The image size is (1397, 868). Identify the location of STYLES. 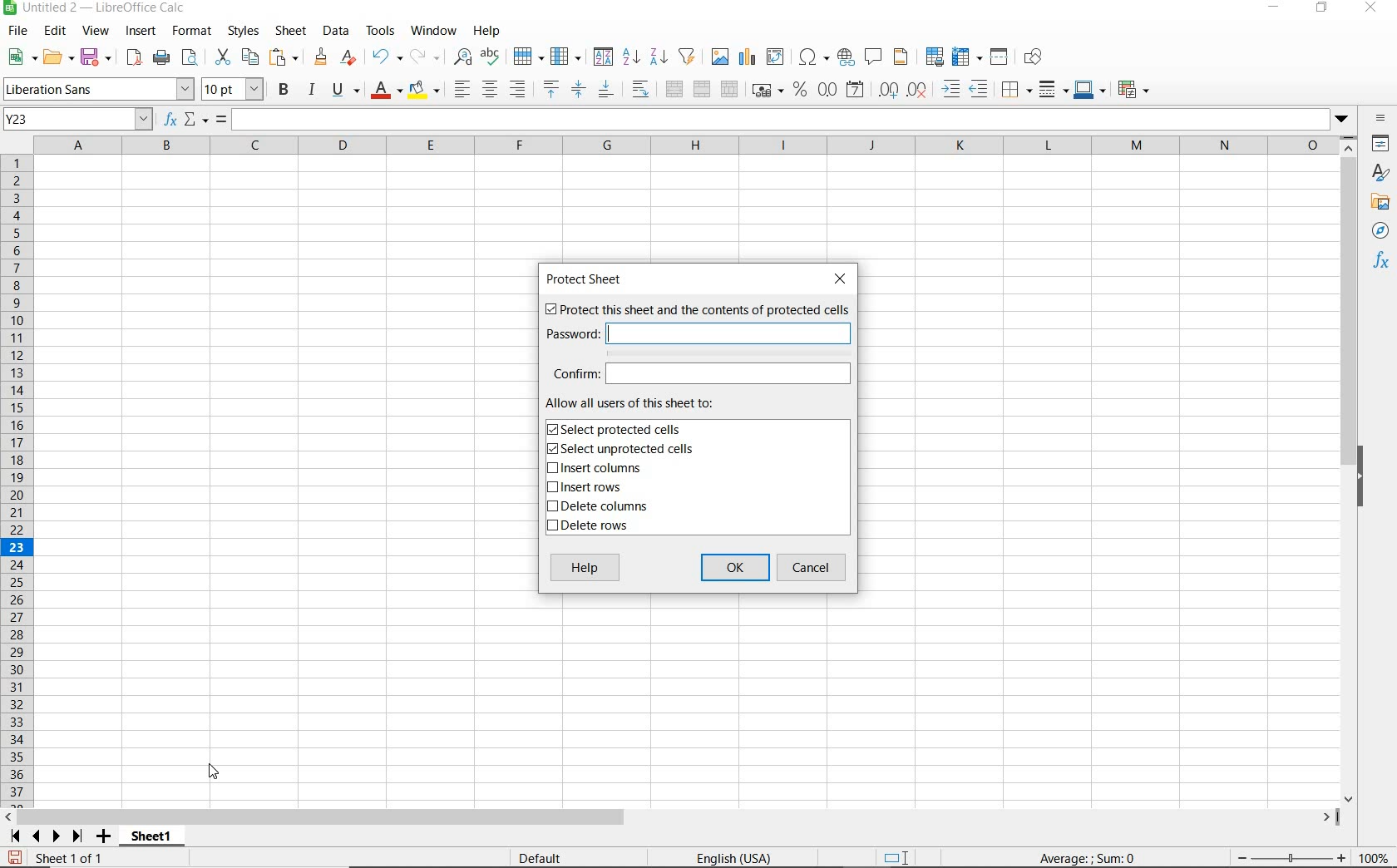
(243, 31).